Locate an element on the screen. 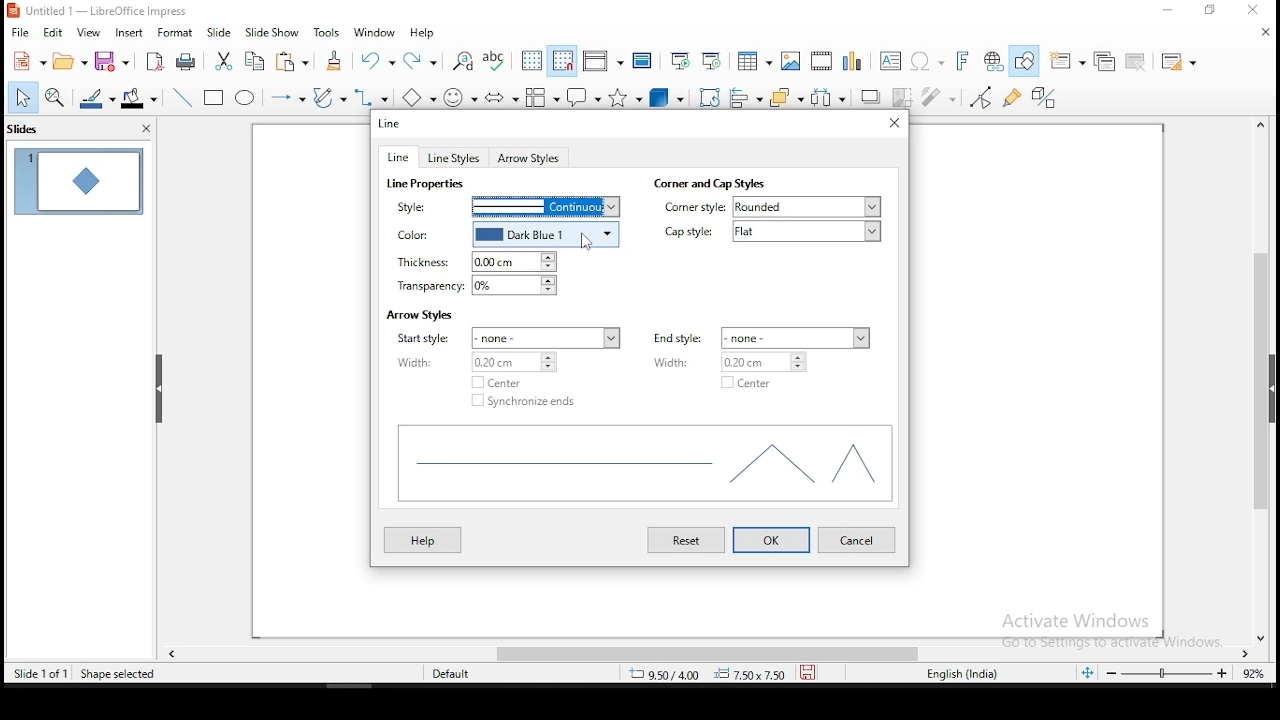 This screenshot has width=1280, height=720. 0% is located at coordinates (517, 285).